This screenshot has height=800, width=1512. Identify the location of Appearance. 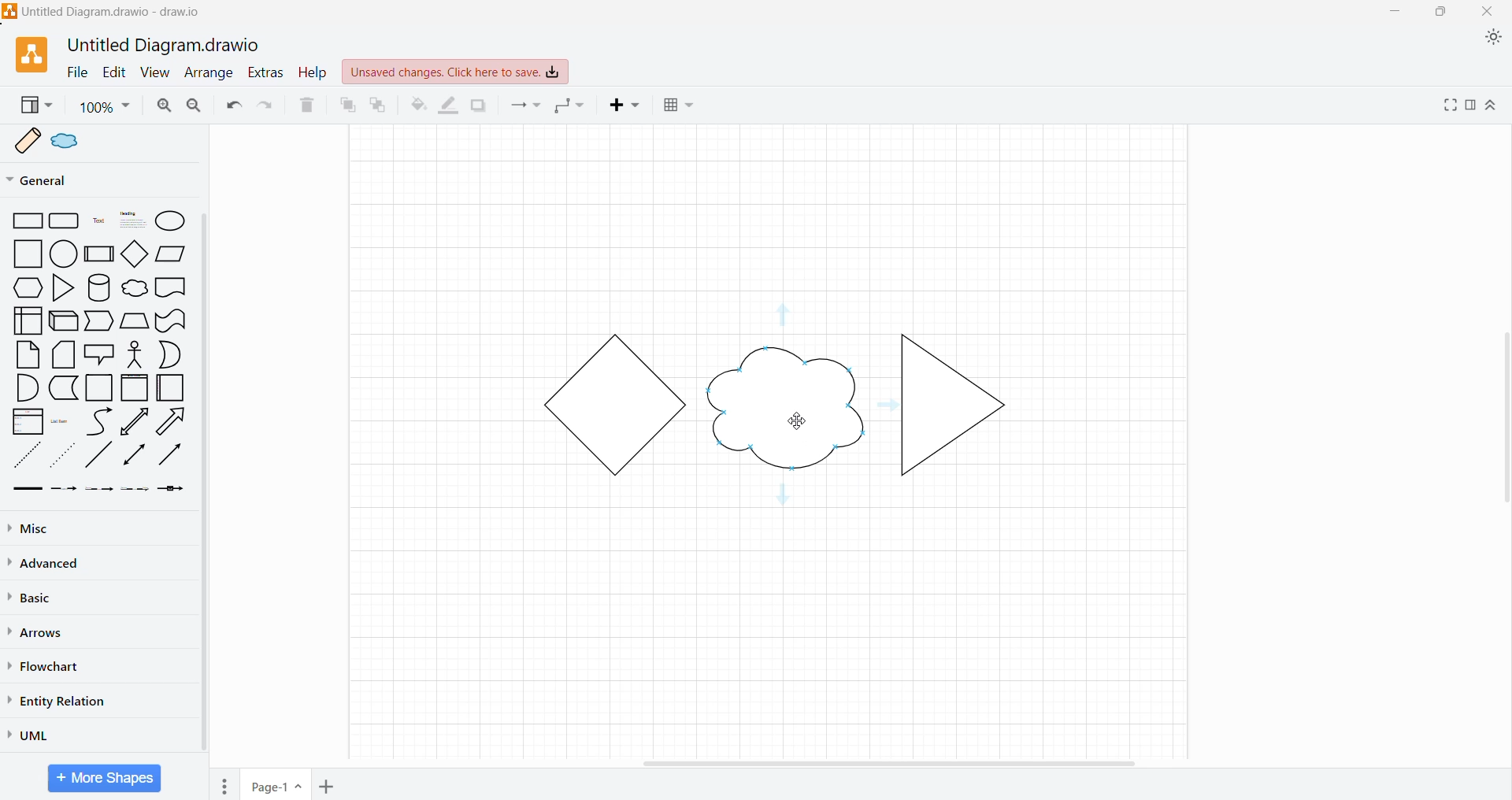
(1496, 40).